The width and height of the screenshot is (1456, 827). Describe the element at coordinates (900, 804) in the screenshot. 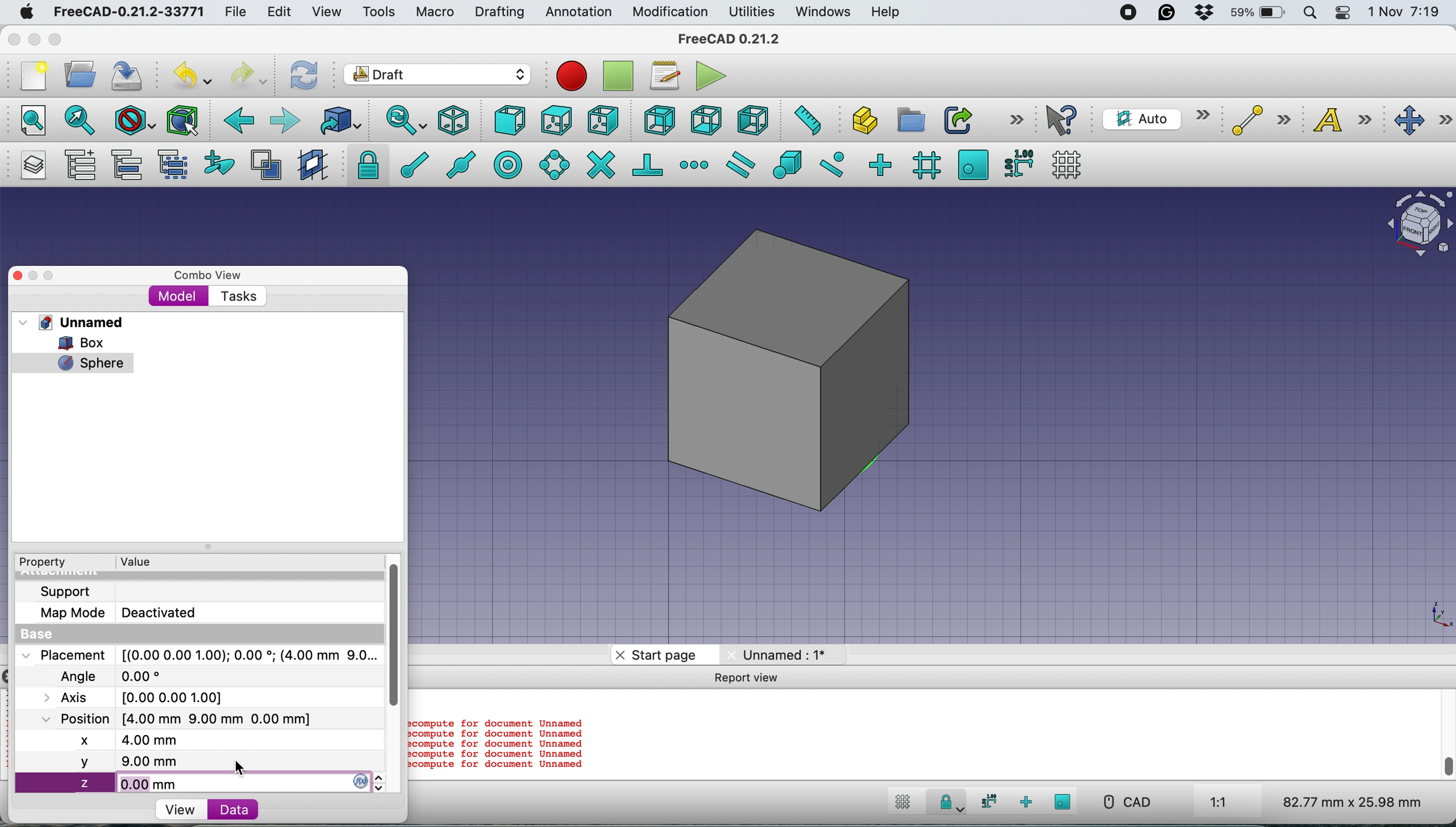

I see `toggle grid` at that location.